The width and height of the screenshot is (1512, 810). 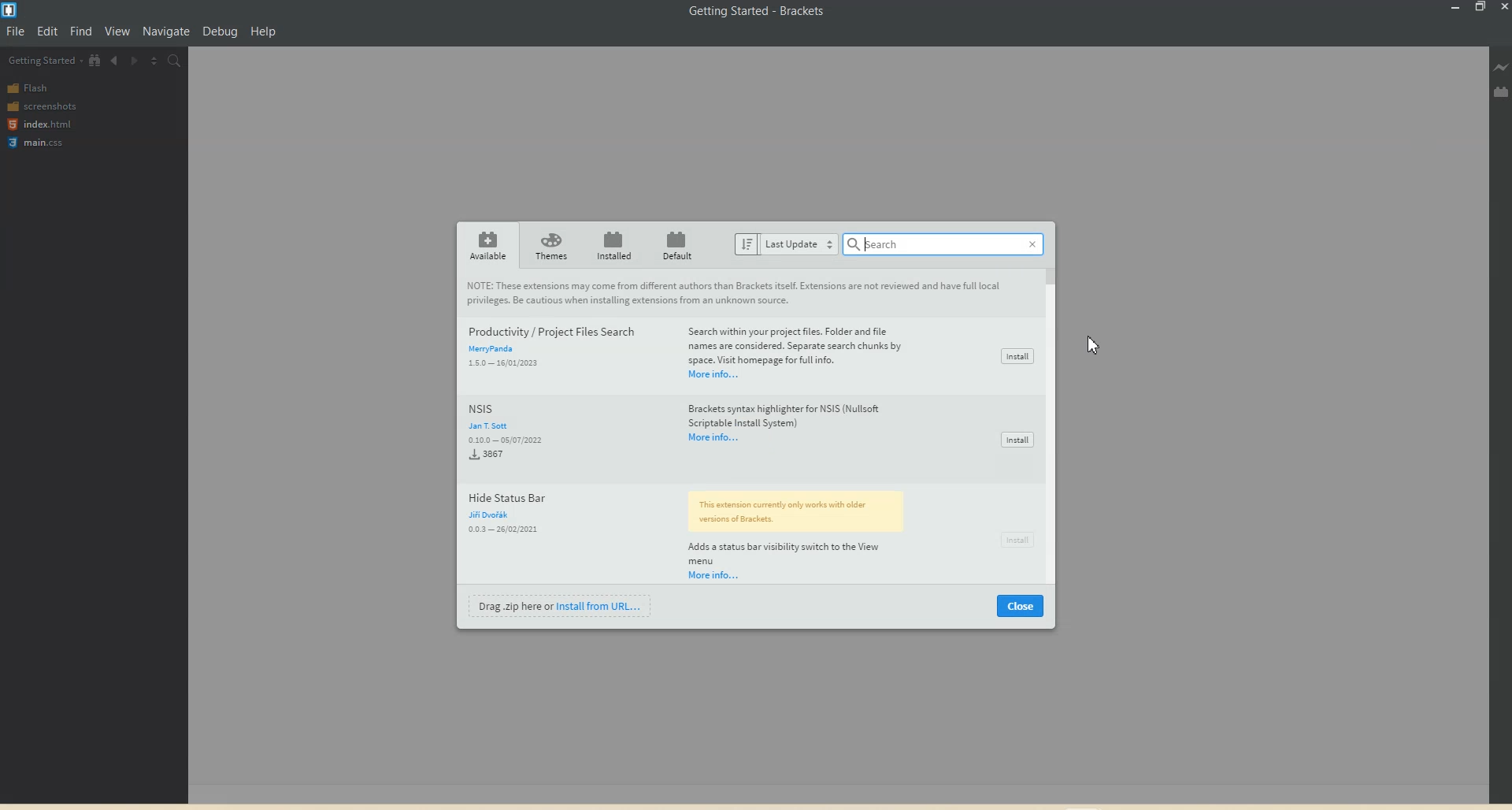 What do you see at coordinates (115, 59) in the screenshot?
I see `Navigate Backwards` at bounding box center [115, 59].